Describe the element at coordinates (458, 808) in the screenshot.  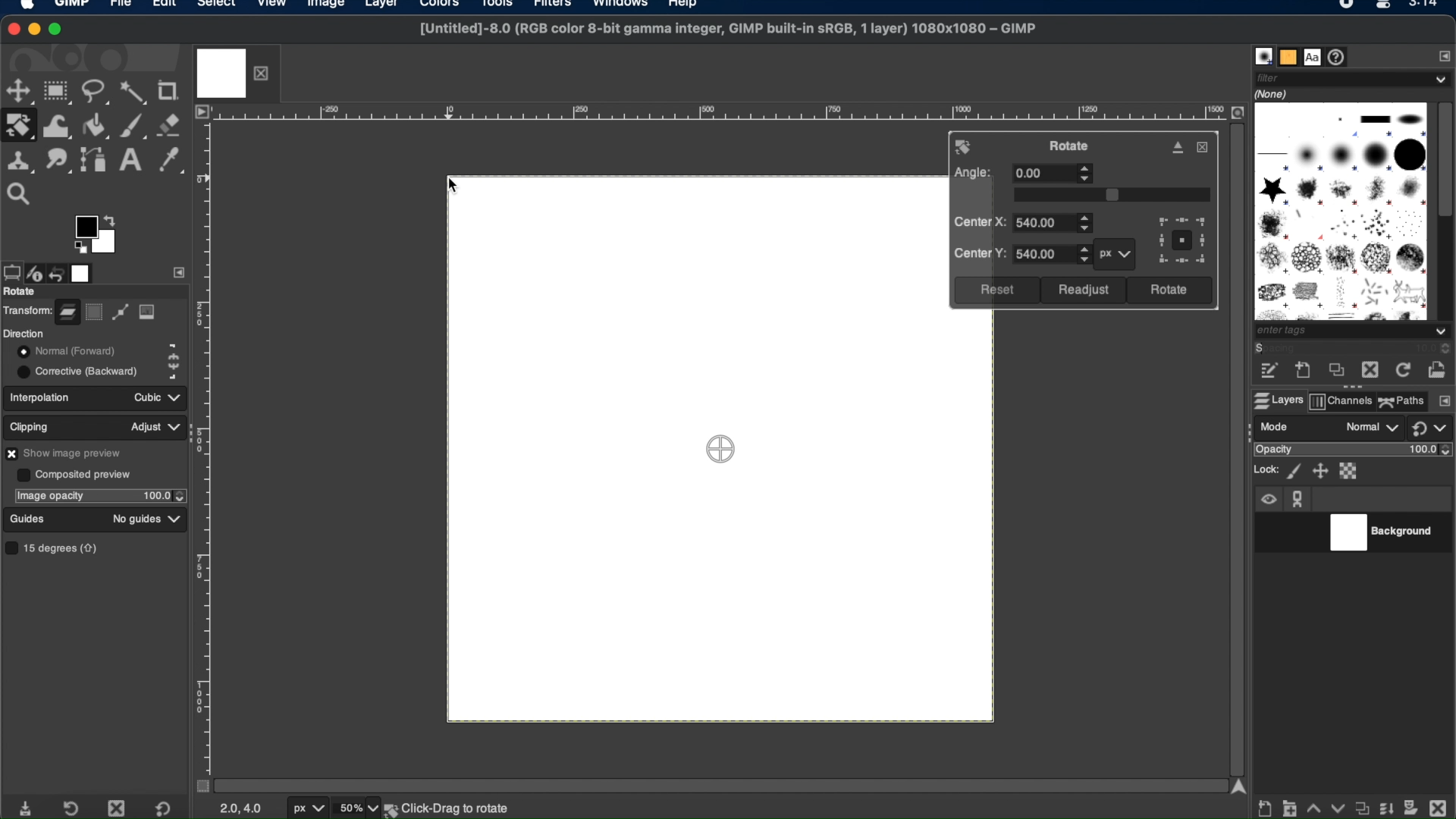
I see `background` at that location.